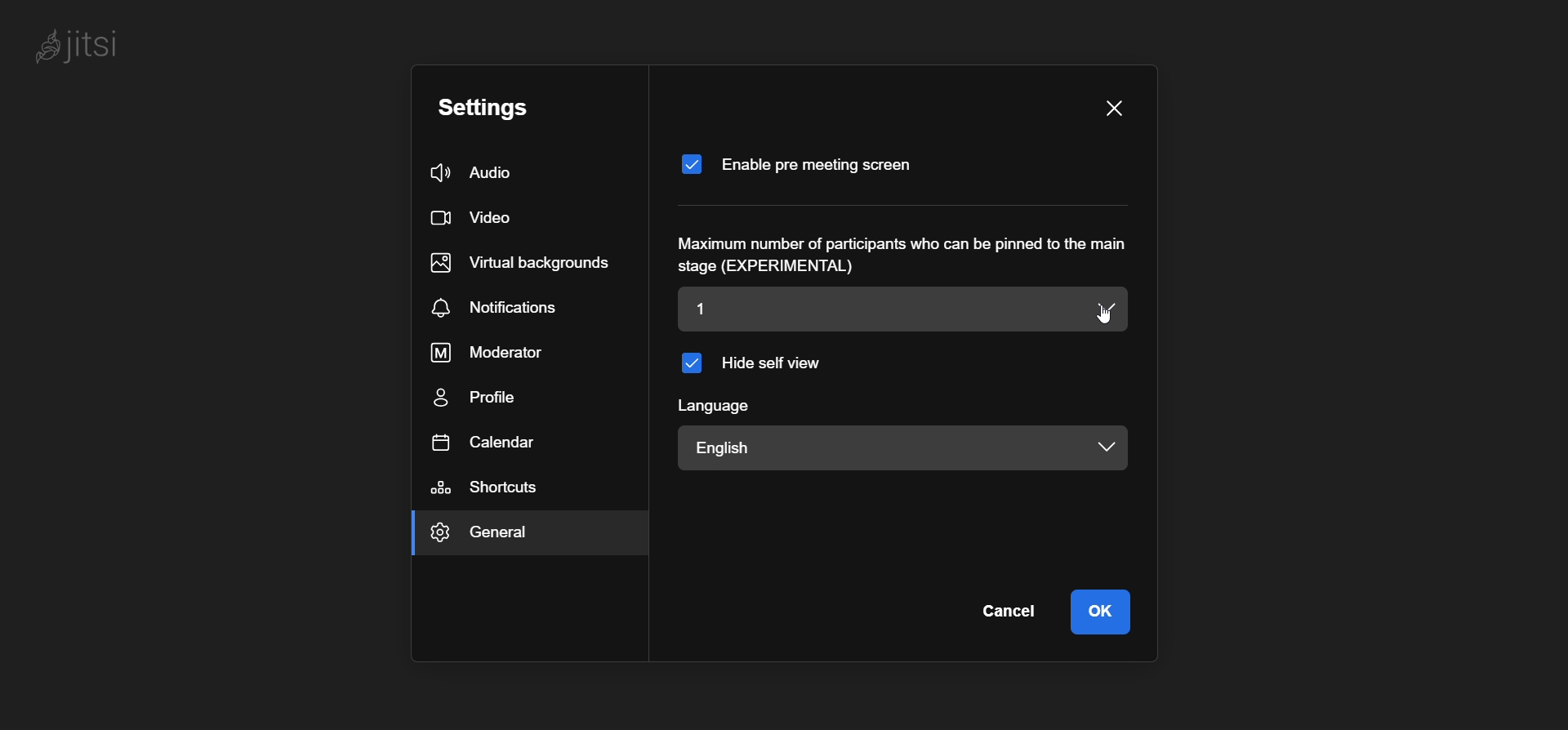 The width and height of the screenshot is (1568, 730). What do you see at coordinates (500, 351) in the screenshot?
I see `moderator` at bounding box center [500, 351].